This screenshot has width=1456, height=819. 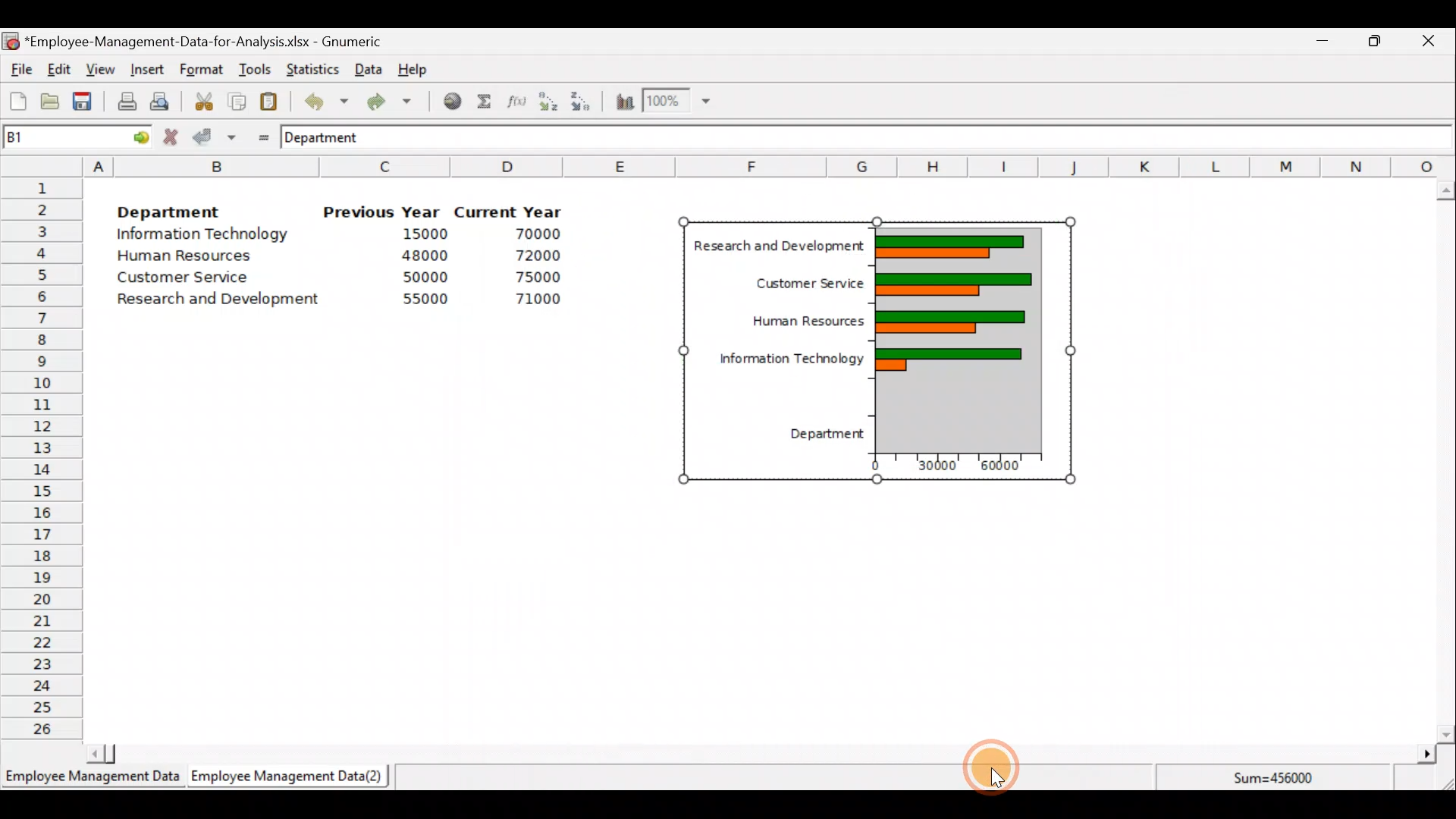 I want to click on 0, so click(x=873, y=469).